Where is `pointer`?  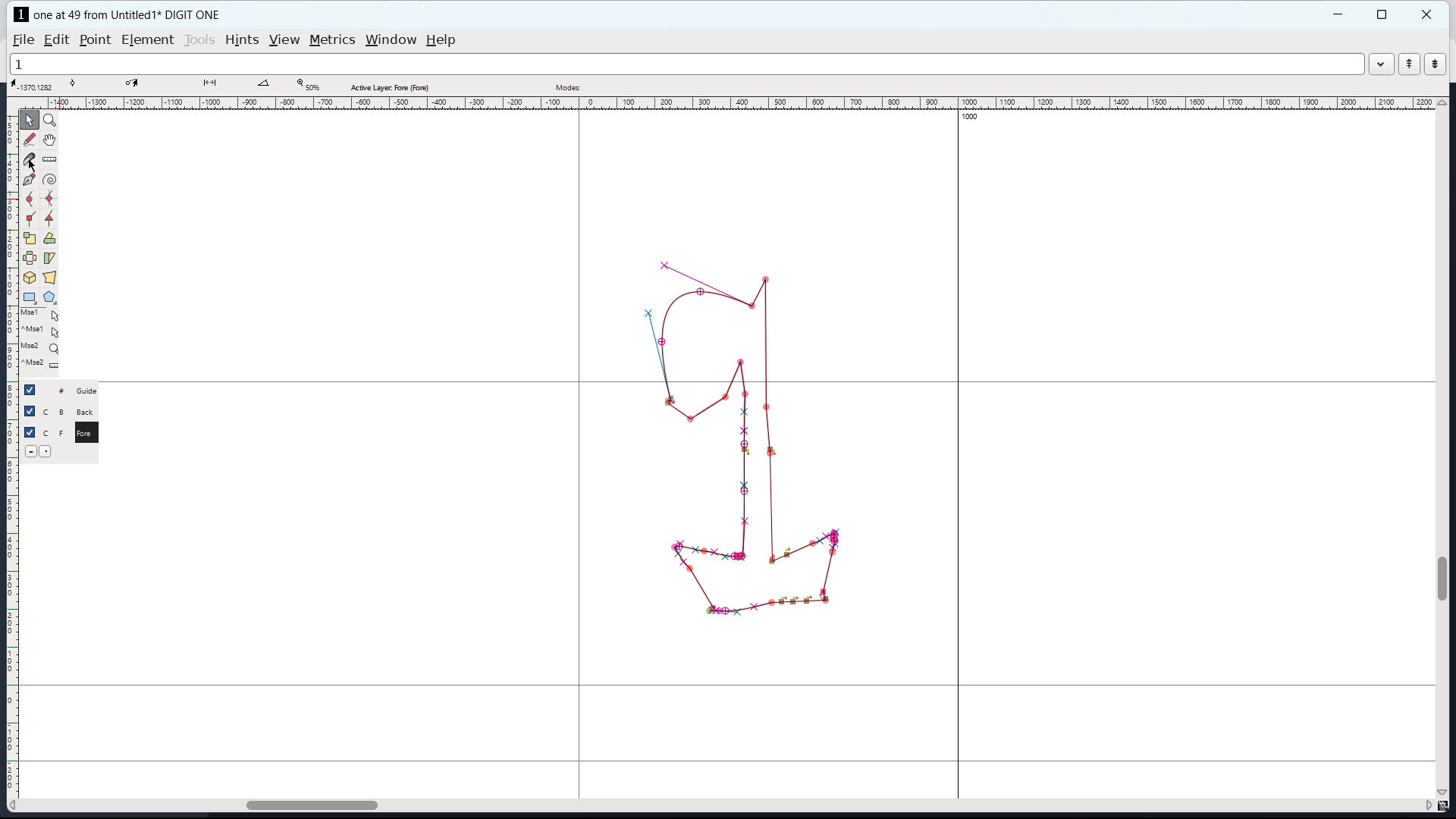
pointer is located at coordinates (30, 119).